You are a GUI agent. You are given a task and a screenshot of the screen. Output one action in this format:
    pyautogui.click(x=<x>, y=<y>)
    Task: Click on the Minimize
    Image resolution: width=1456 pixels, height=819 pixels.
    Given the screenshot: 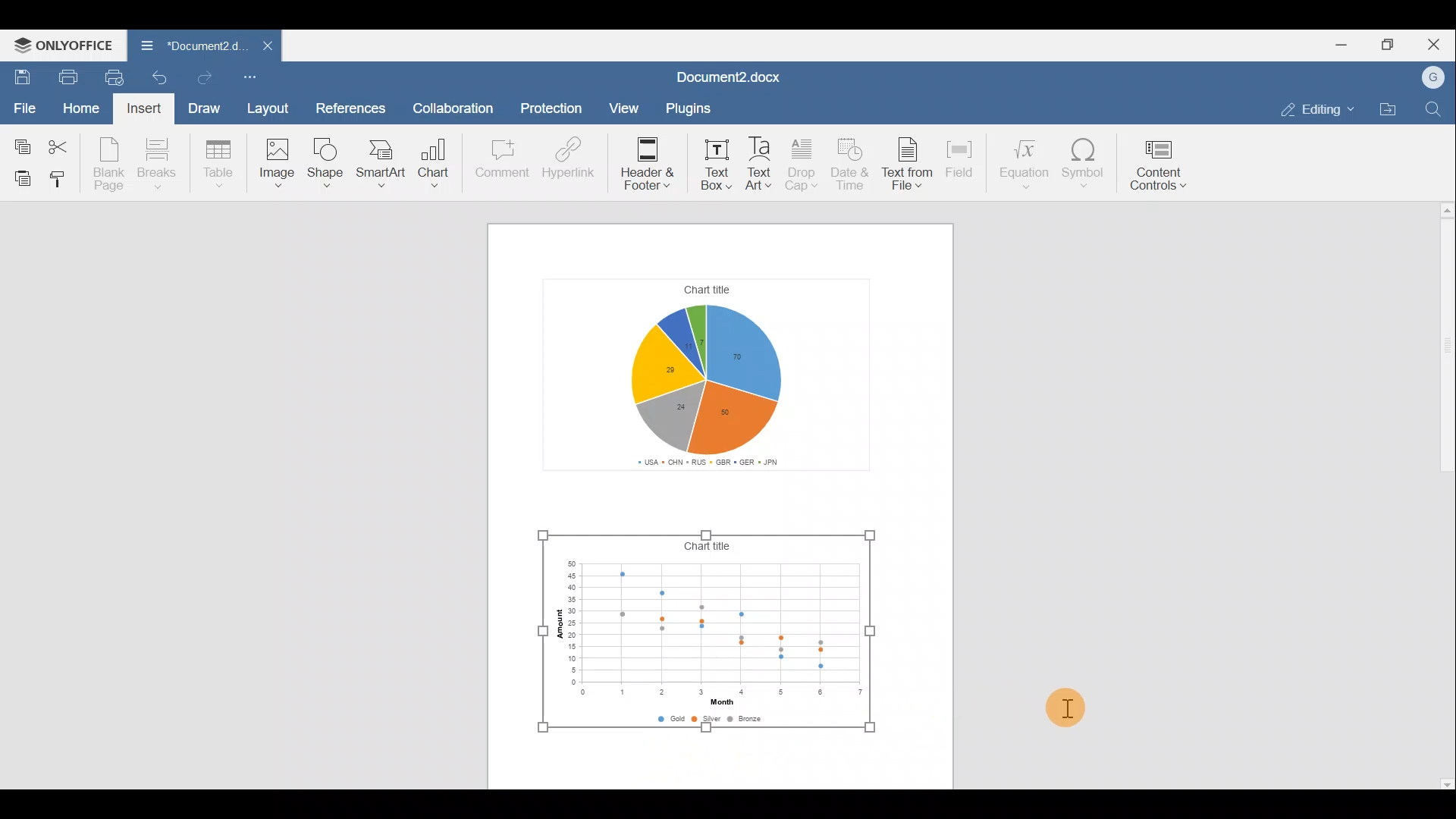 What is the action you would take?
    pyautogui.click(x=1338, y=46)
    